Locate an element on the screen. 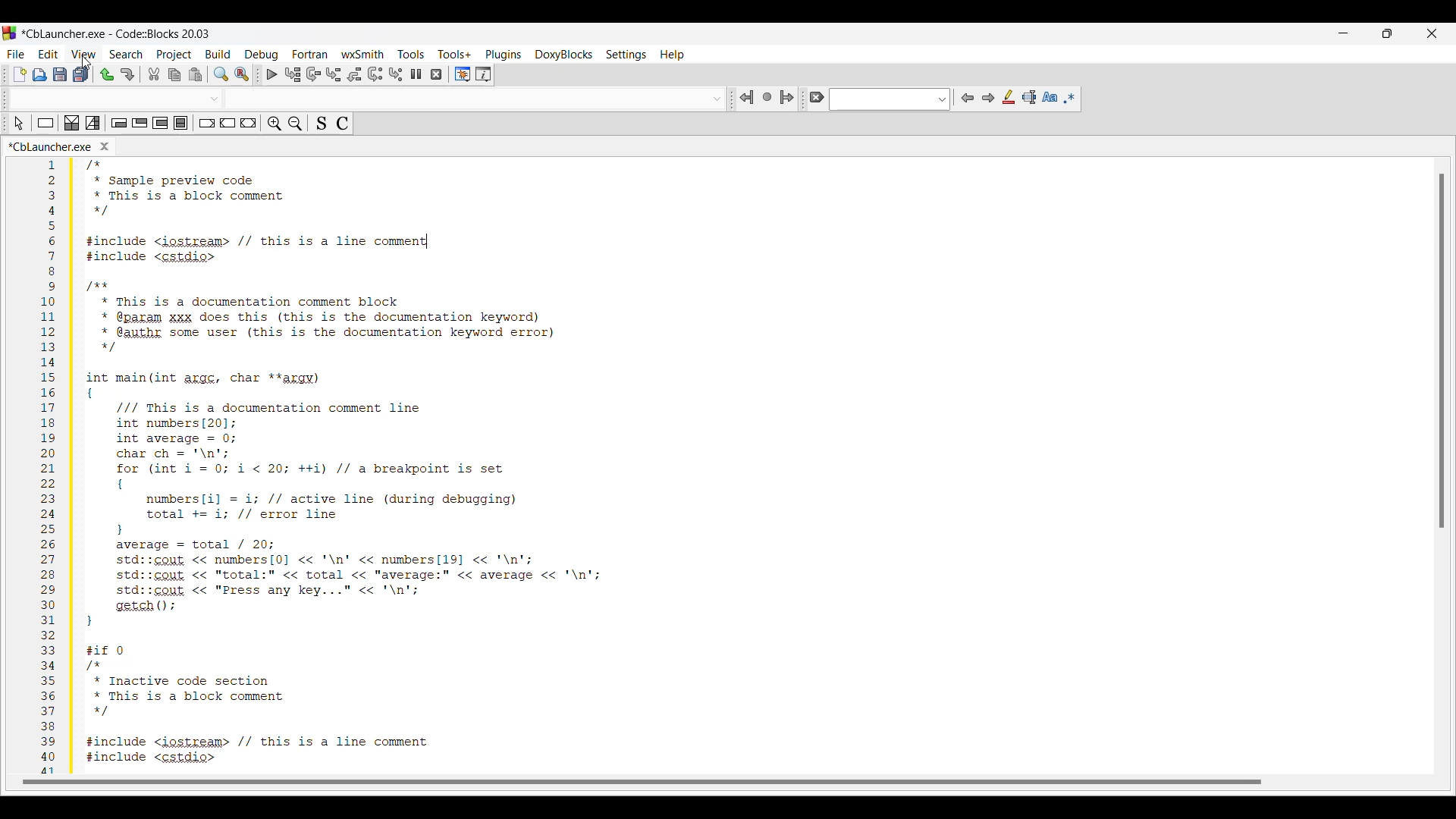 The height and width of the screenshot is (819, 1456). Zoom in is located at coordinates (275, 123).